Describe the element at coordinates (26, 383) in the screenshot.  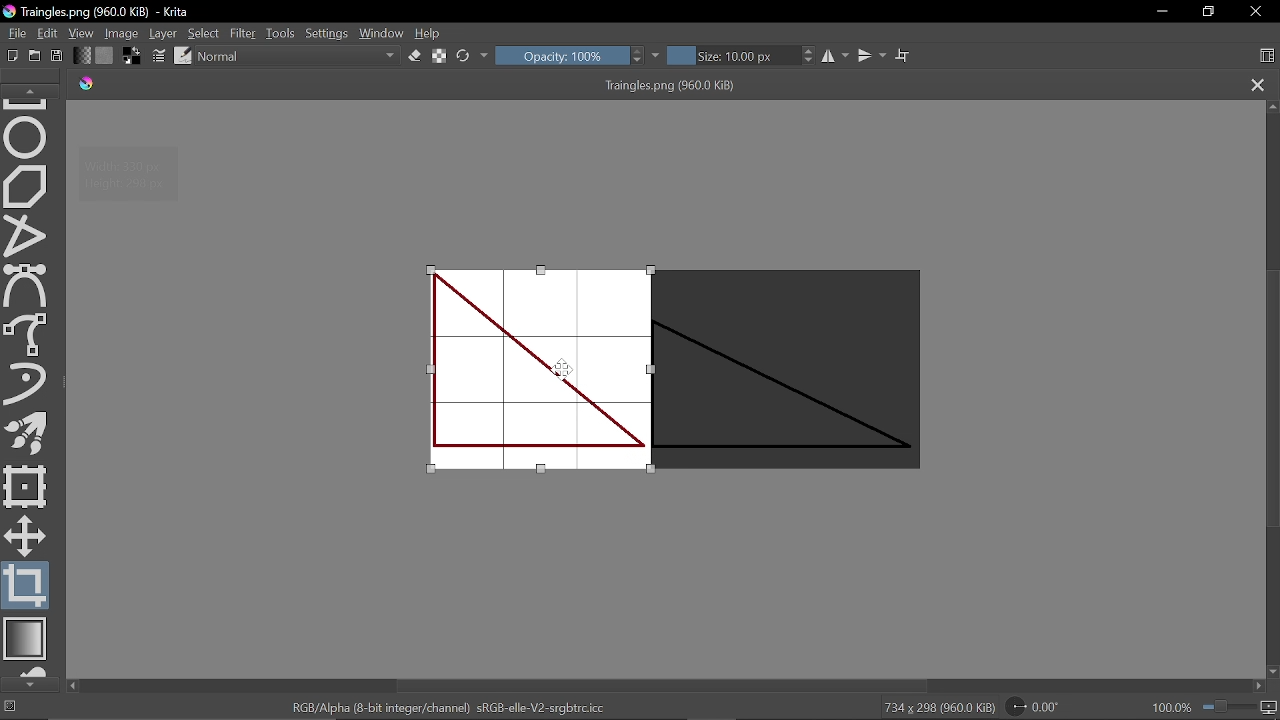
I see `Dynamic brush tool` at that location.